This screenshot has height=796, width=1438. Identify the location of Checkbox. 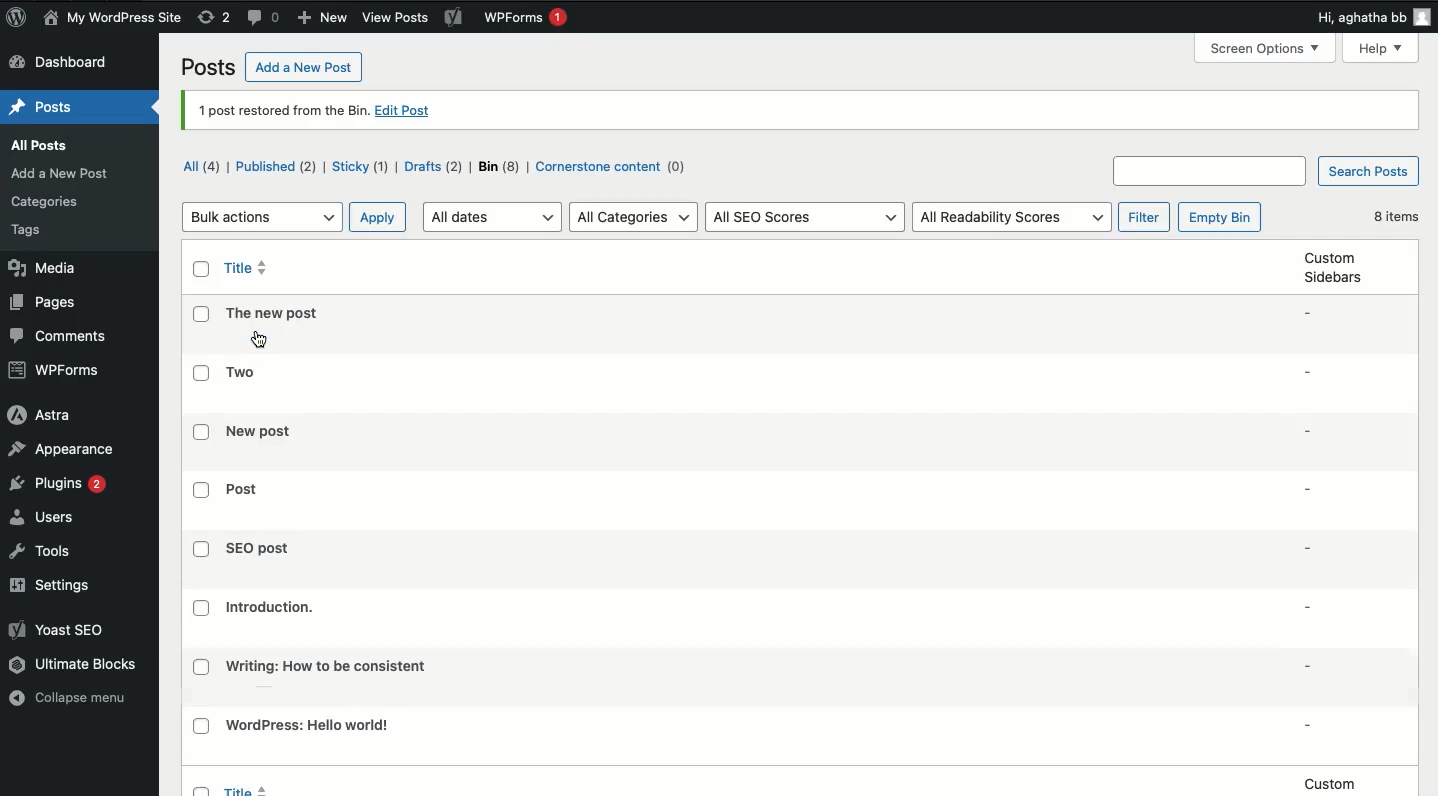
(200, 490).